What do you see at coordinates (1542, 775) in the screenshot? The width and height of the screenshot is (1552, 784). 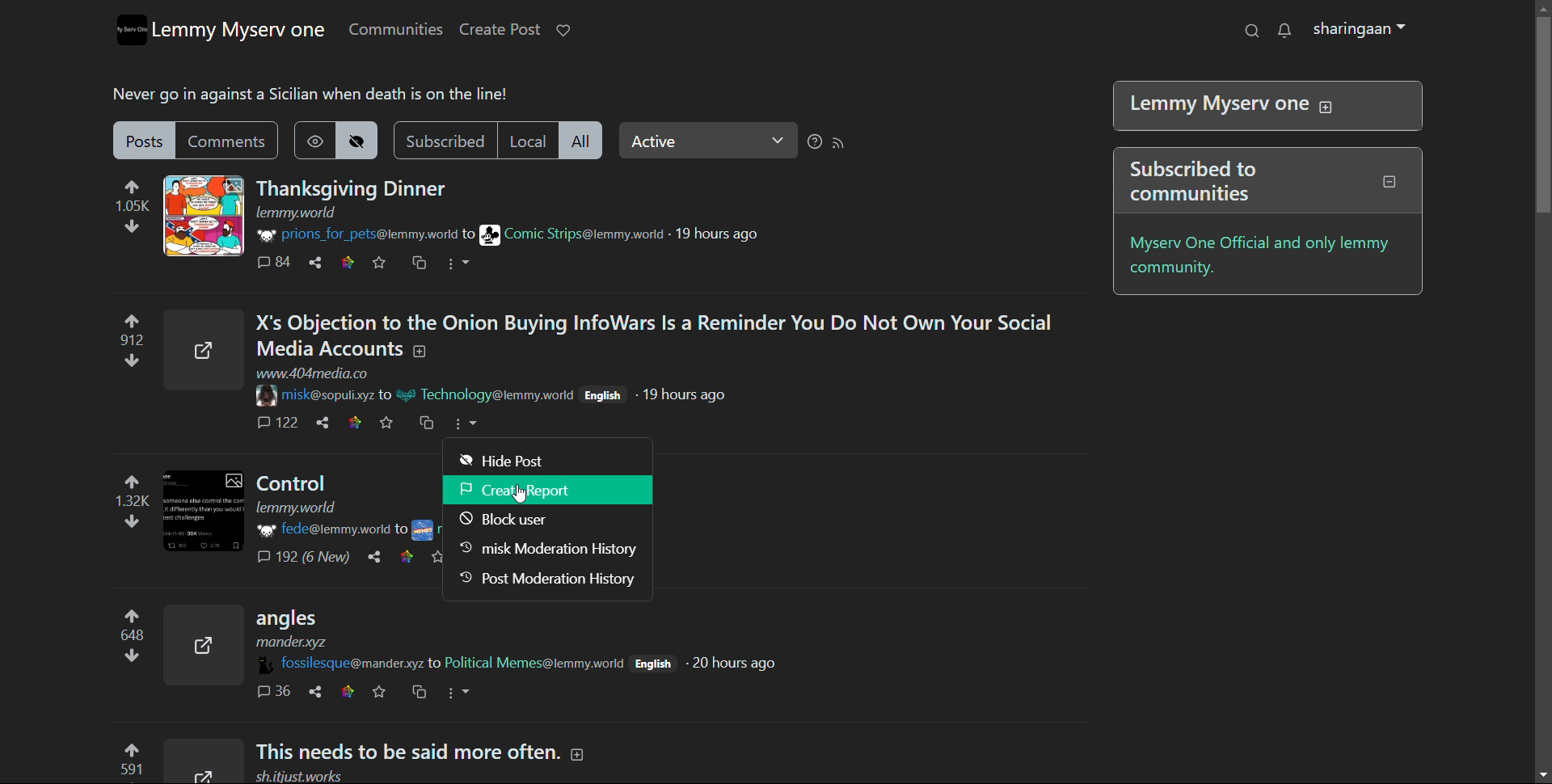 I see `scroll down` at bounding box center [1542, 775].